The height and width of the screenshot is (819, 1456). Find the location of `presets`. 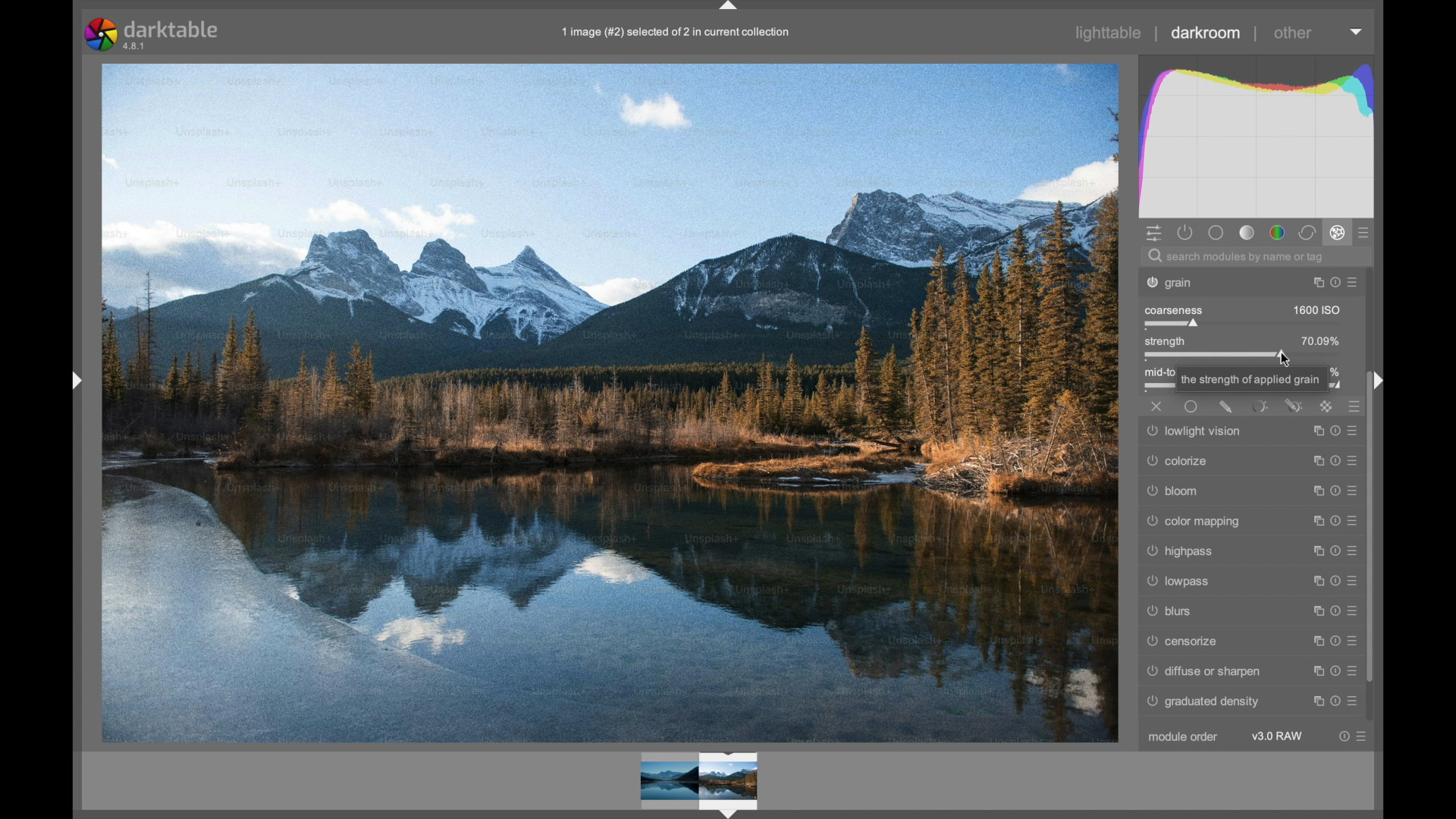

presets is located at coordinates (1355, 406).